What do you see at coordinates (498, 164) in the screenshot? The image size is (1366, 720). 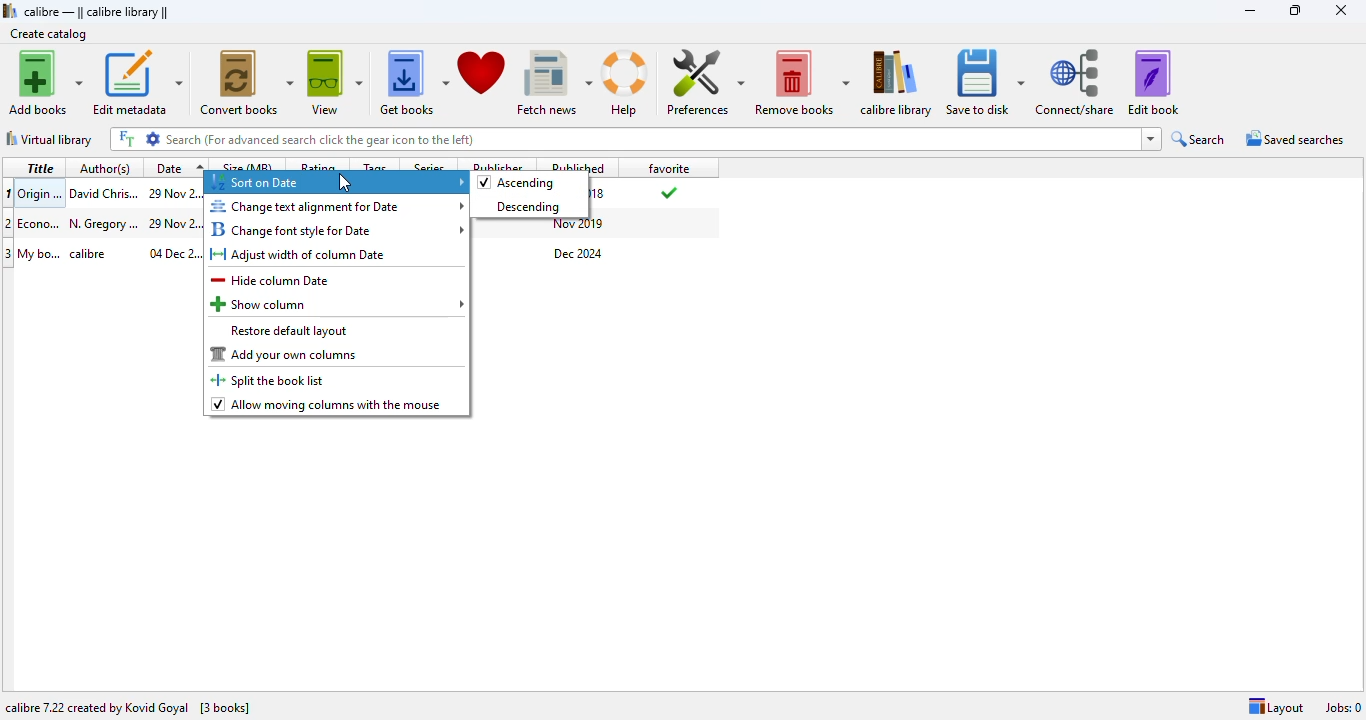 I see `publisher` at bounding box center [498, 164].